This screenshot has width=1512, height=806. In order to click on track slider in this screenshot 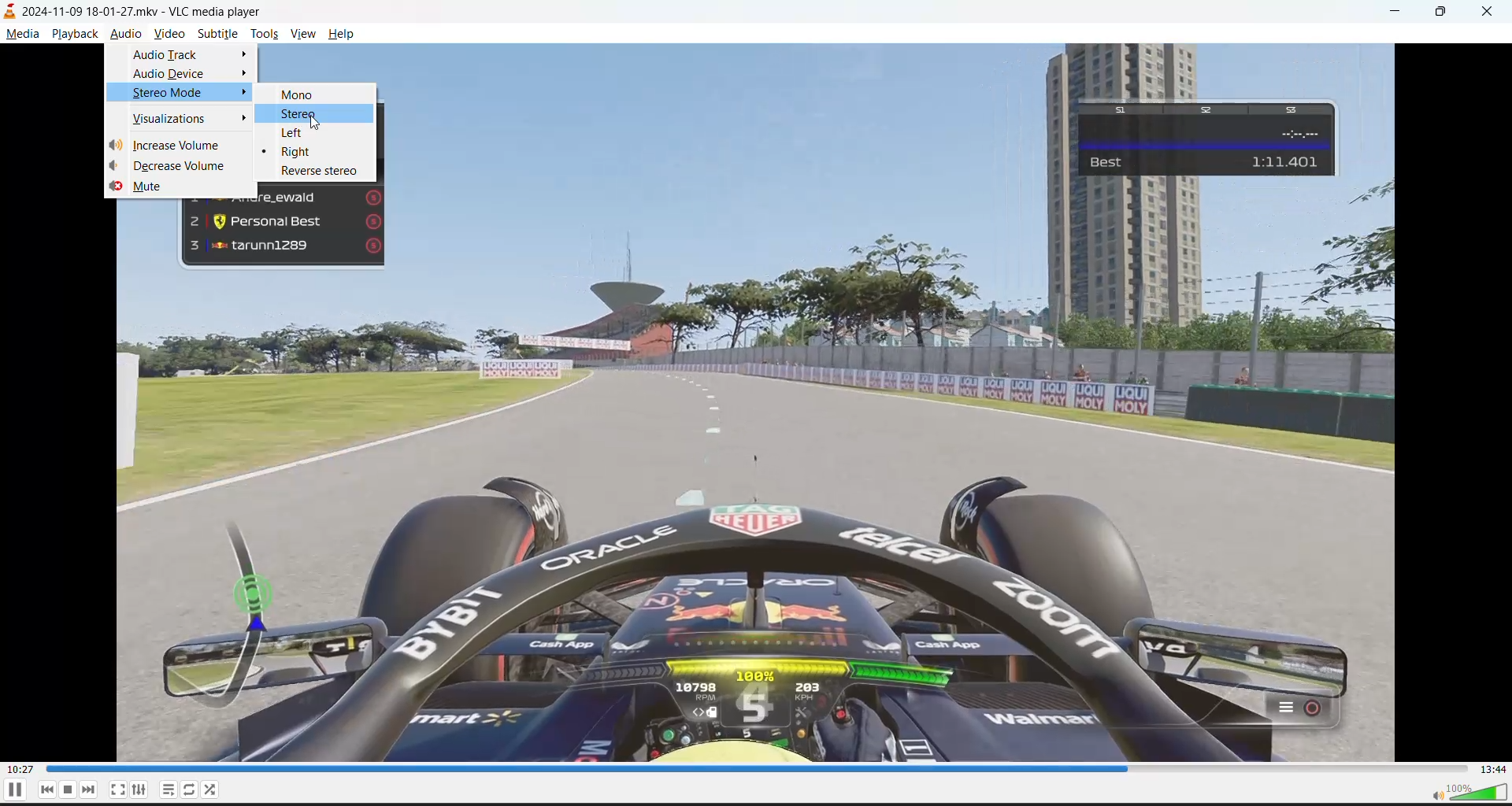, I will do `click(751, 769)`.